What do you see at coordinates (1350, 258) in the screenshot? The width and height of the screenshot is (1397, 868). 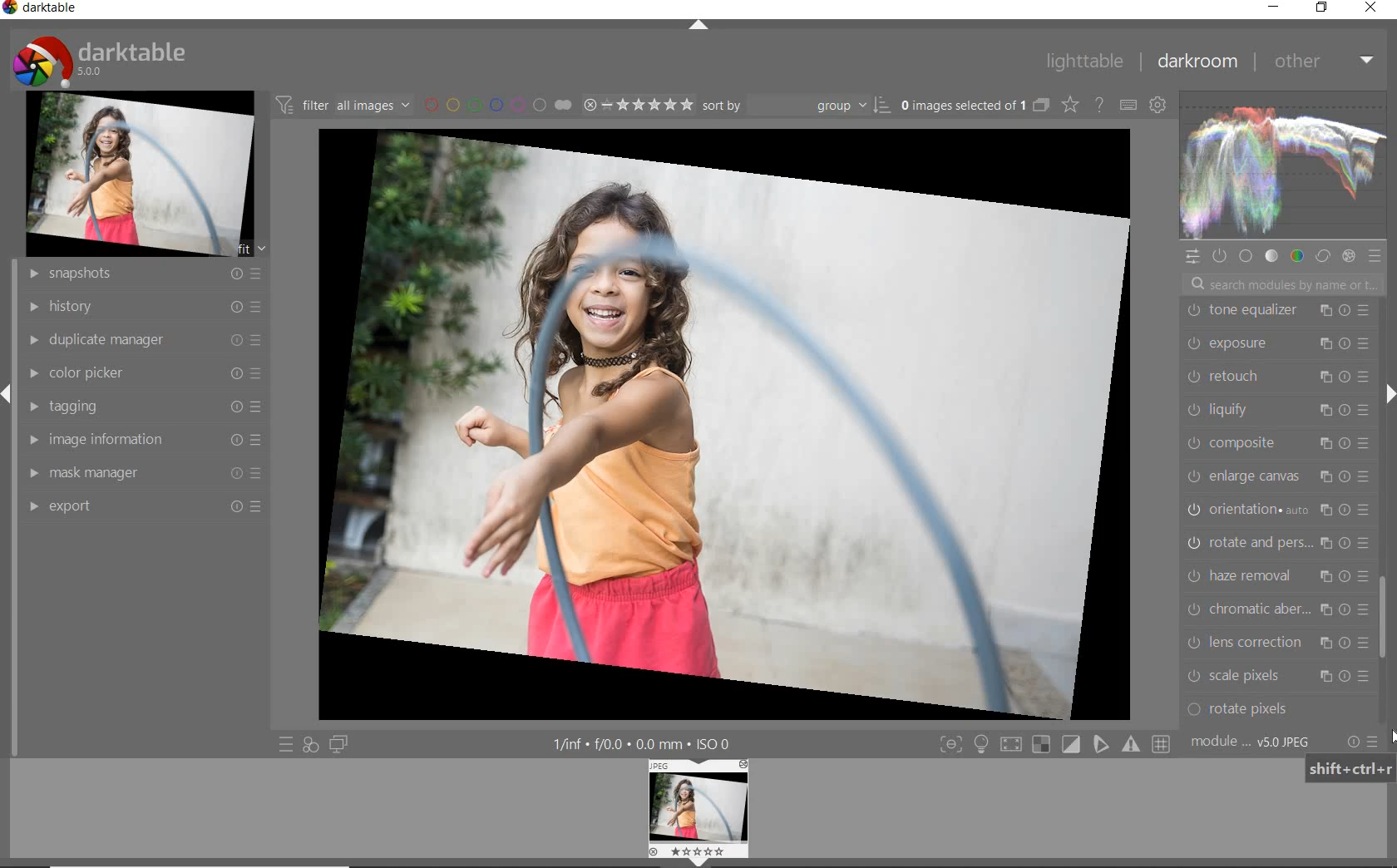 I see `effect` at bounding box center [1350, 258].